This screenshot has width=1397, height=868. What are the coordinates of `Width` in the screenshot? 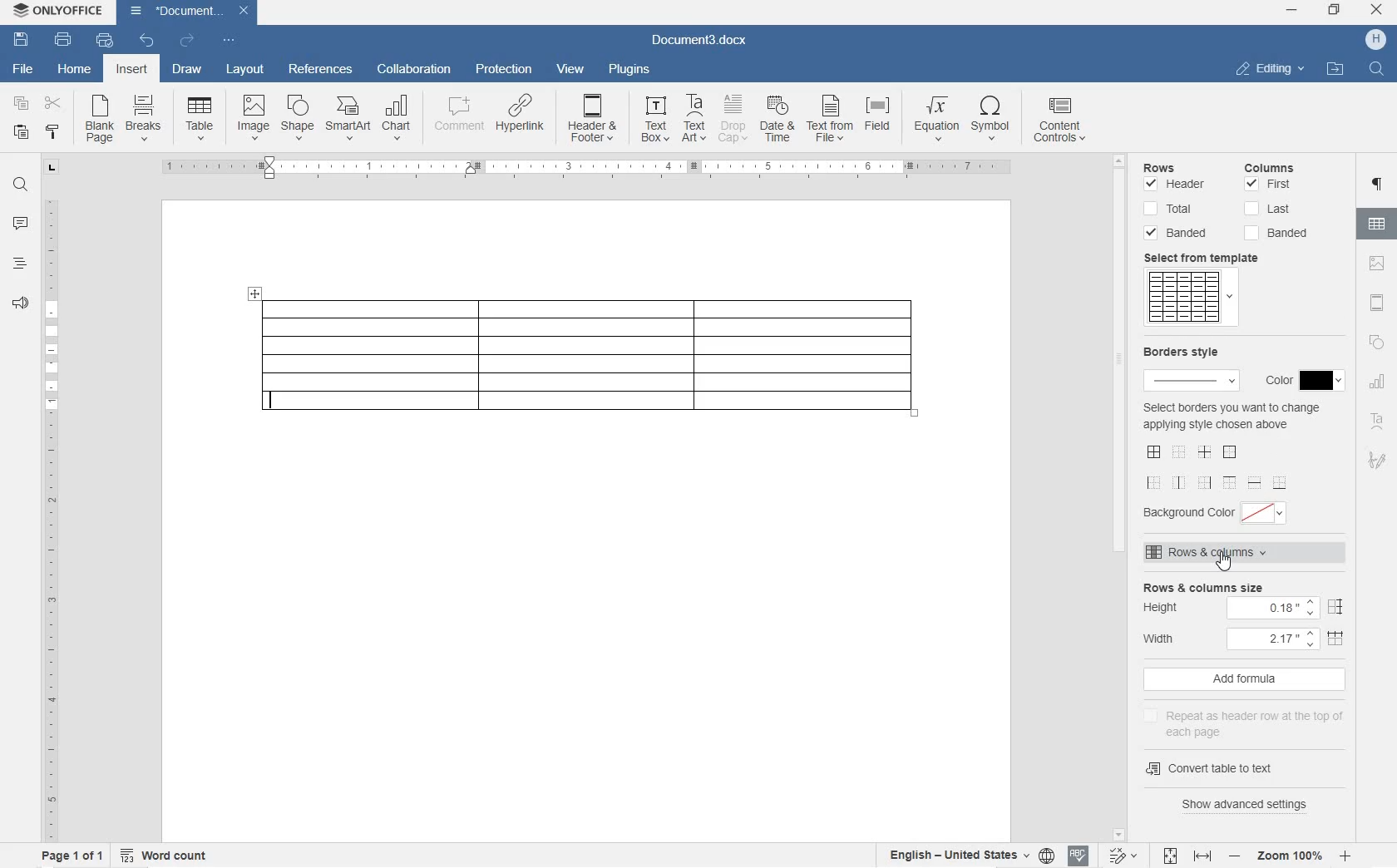 It's located at (1247, 638).